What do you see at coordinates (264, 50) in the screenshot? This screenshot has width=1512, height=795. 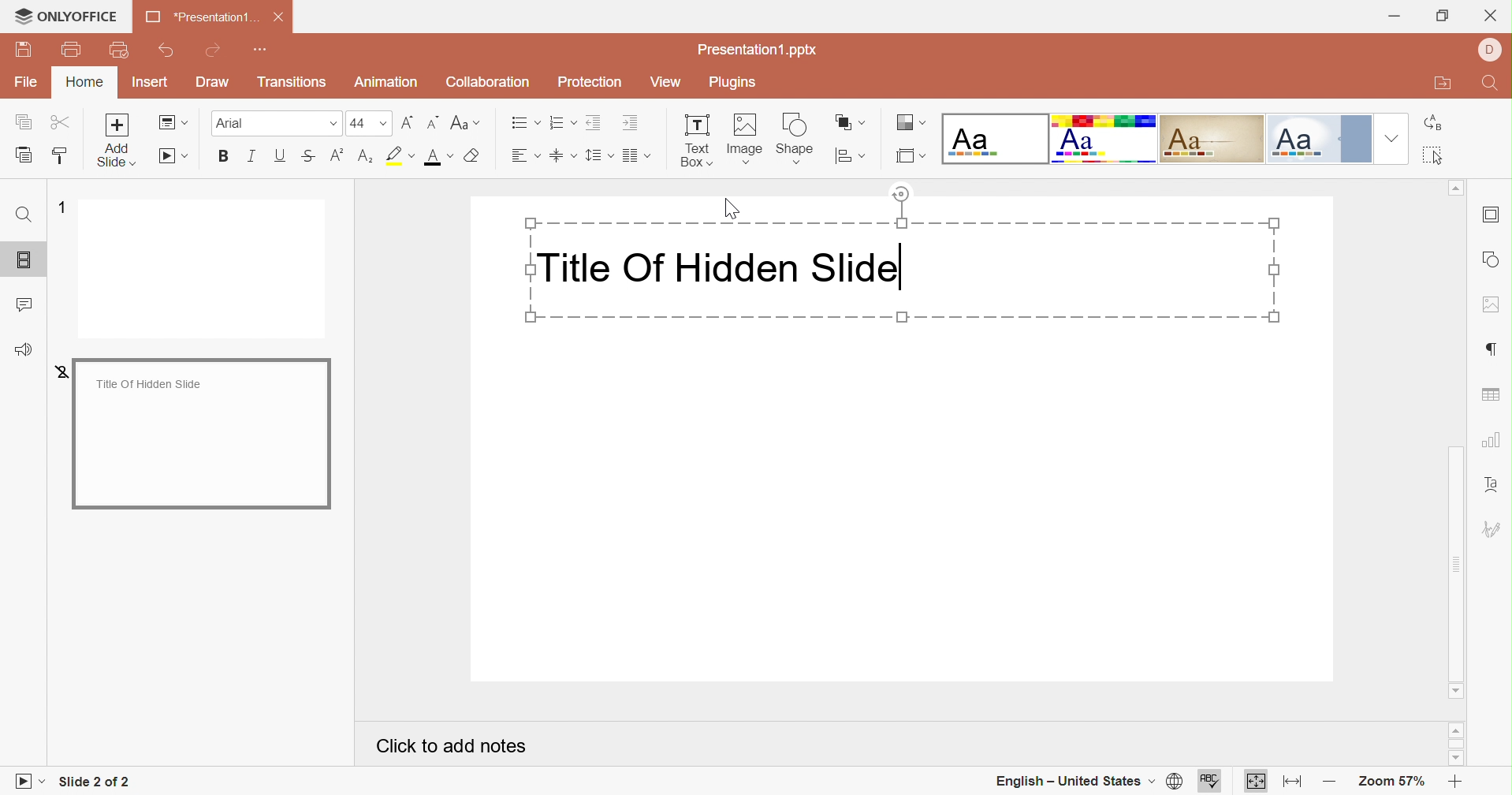 I see `Customize Quick Access Toolbar` at bounding box center [264, 50].